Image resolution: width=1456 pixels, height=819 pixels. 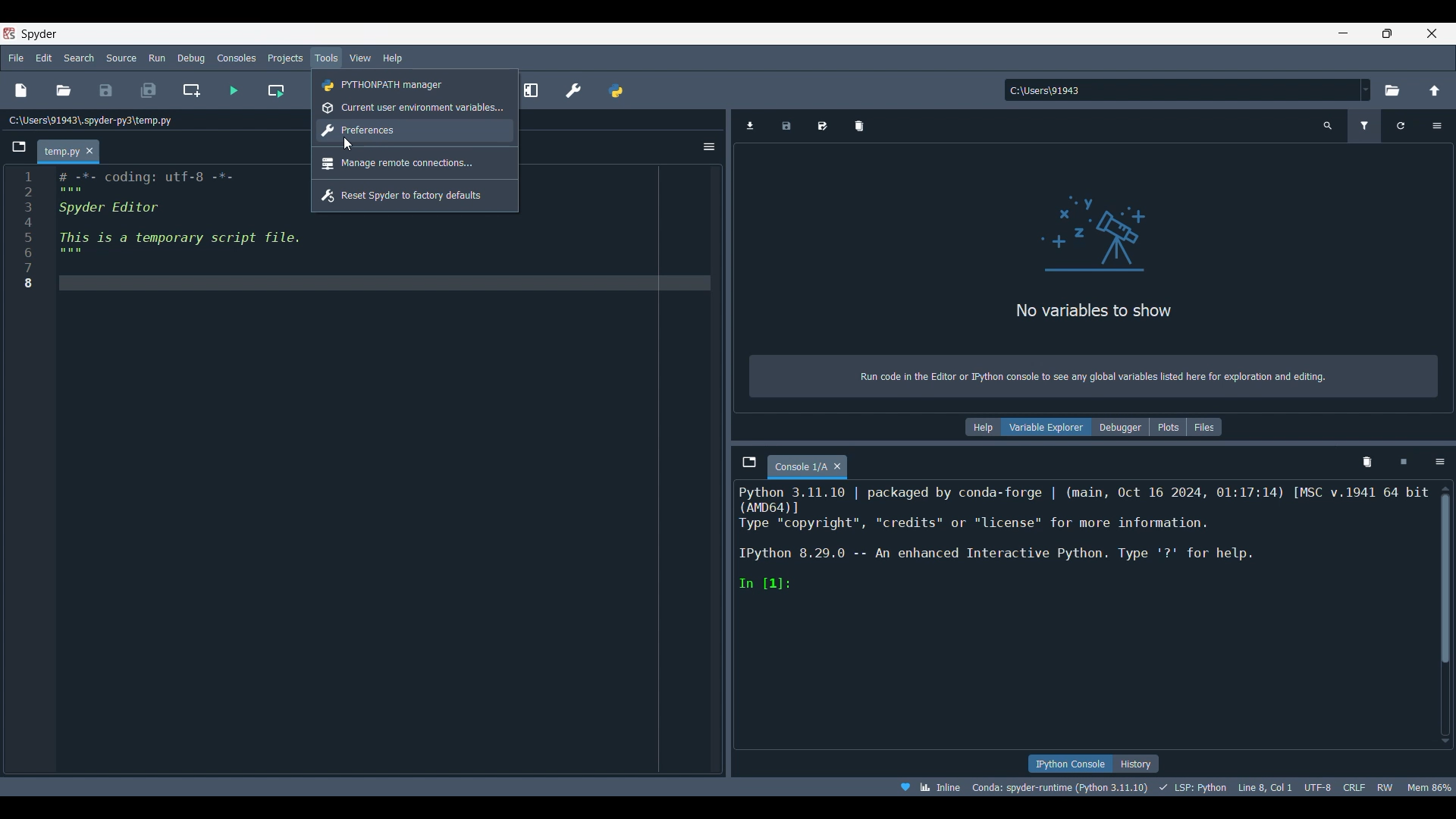 What do you see at coordinates (43, 58) in the screenshot?
I see `Edit menu` at bounding box center [43, 58].